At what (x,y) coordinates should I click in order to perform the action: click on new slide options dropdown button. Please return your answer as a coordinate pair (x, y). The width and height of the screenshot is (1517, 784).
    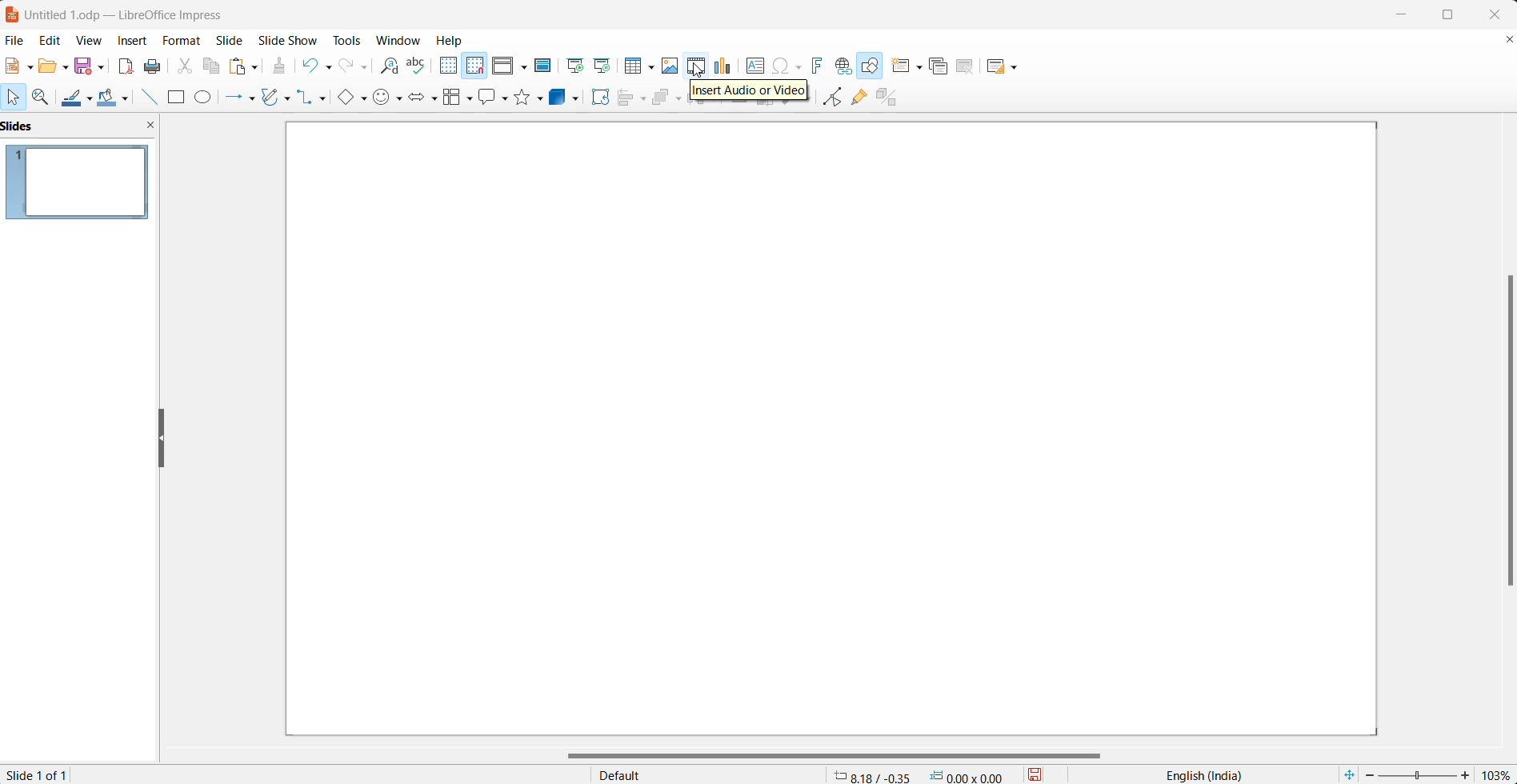
    Looking at the image, I should click on (922, 64).